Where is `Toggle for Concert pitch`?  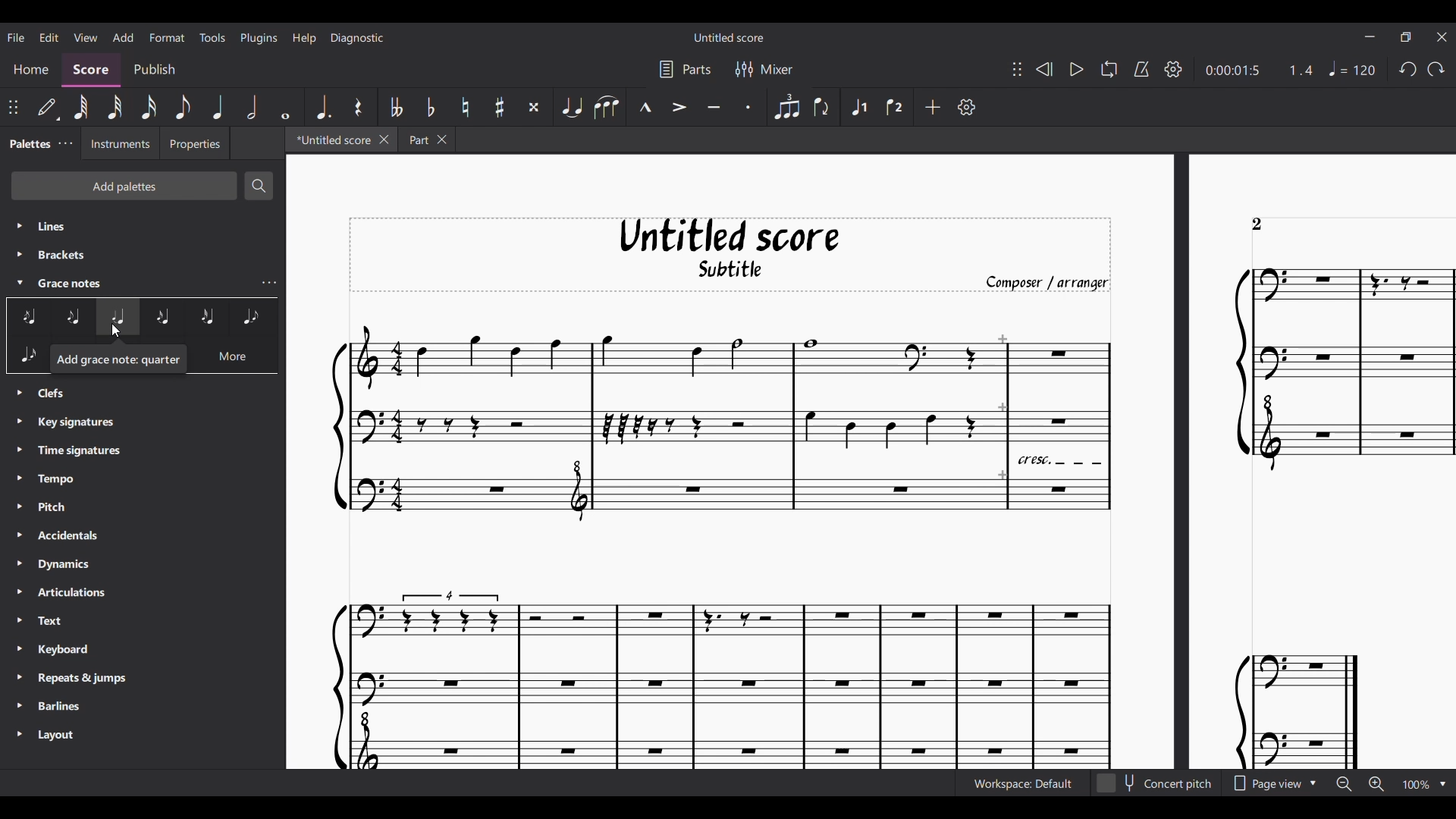
Toggle for Concert pitch is located at coordinates (1156, 783).